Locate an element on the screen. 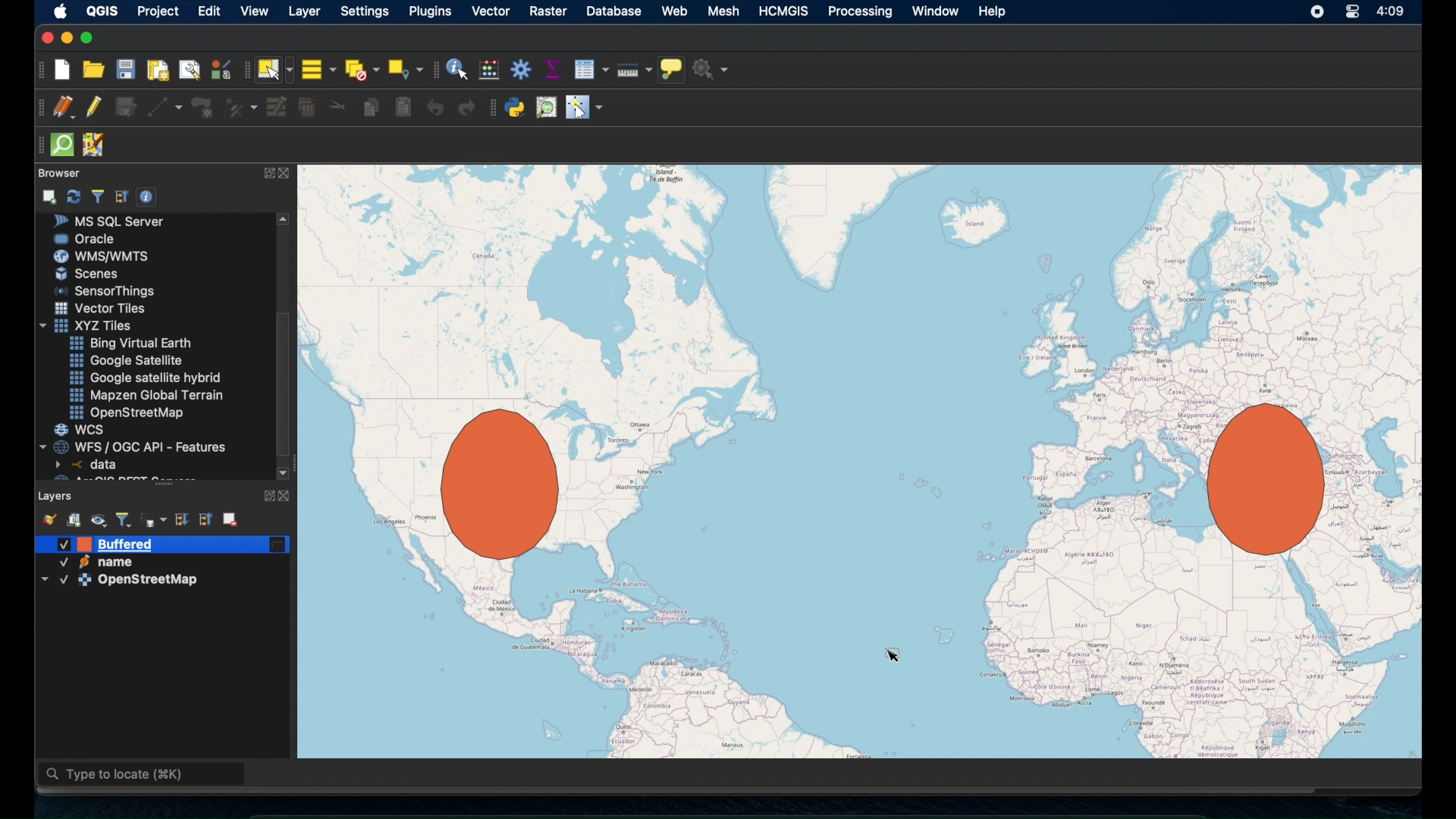 The height and width of the screenshot is (819, 1456). close is located at coordinates (287, 174).